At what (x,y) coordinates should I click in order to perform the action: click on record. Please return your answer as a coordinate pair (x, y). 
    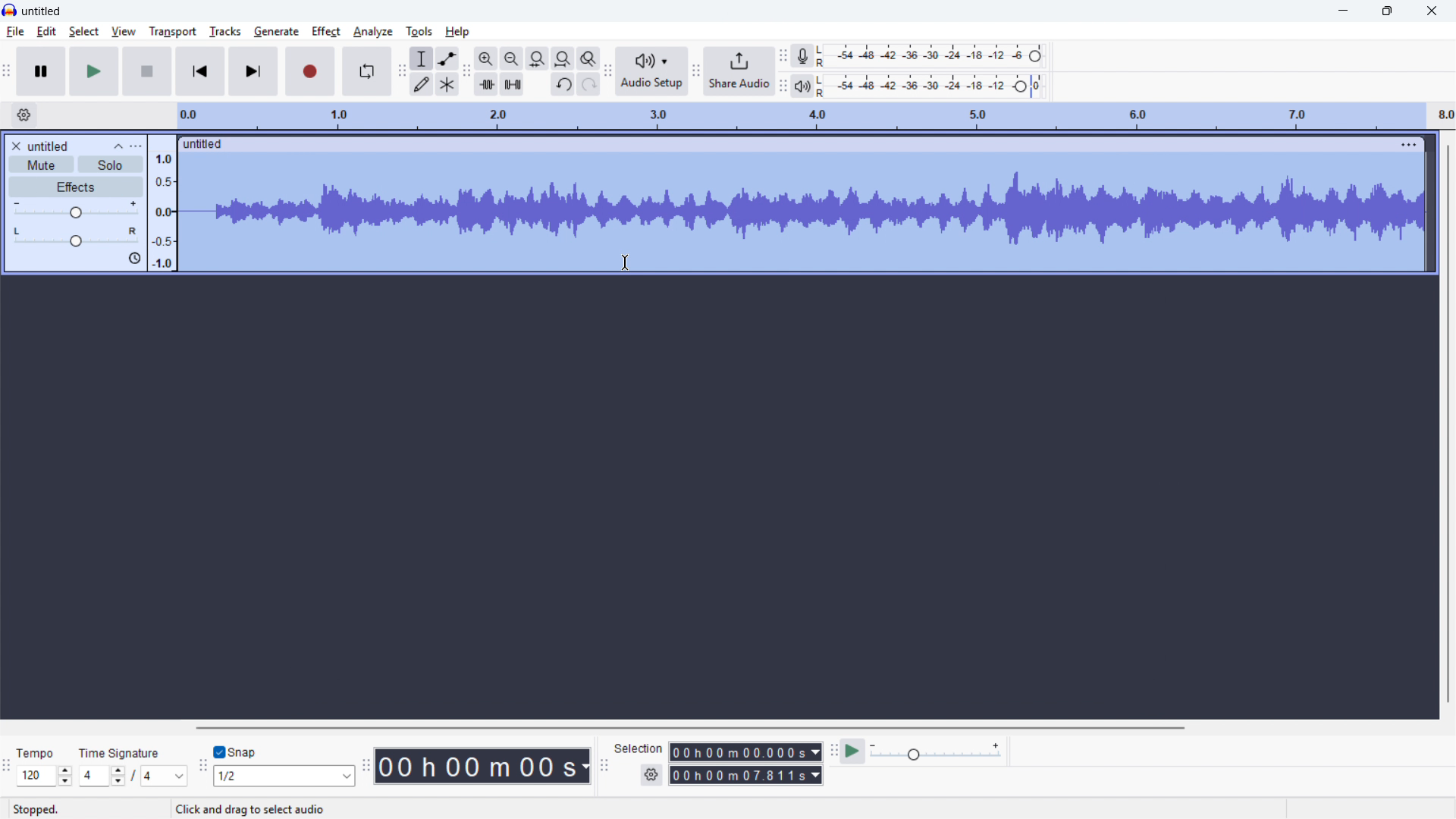
    Looking at the image, I should click on (310, 72).